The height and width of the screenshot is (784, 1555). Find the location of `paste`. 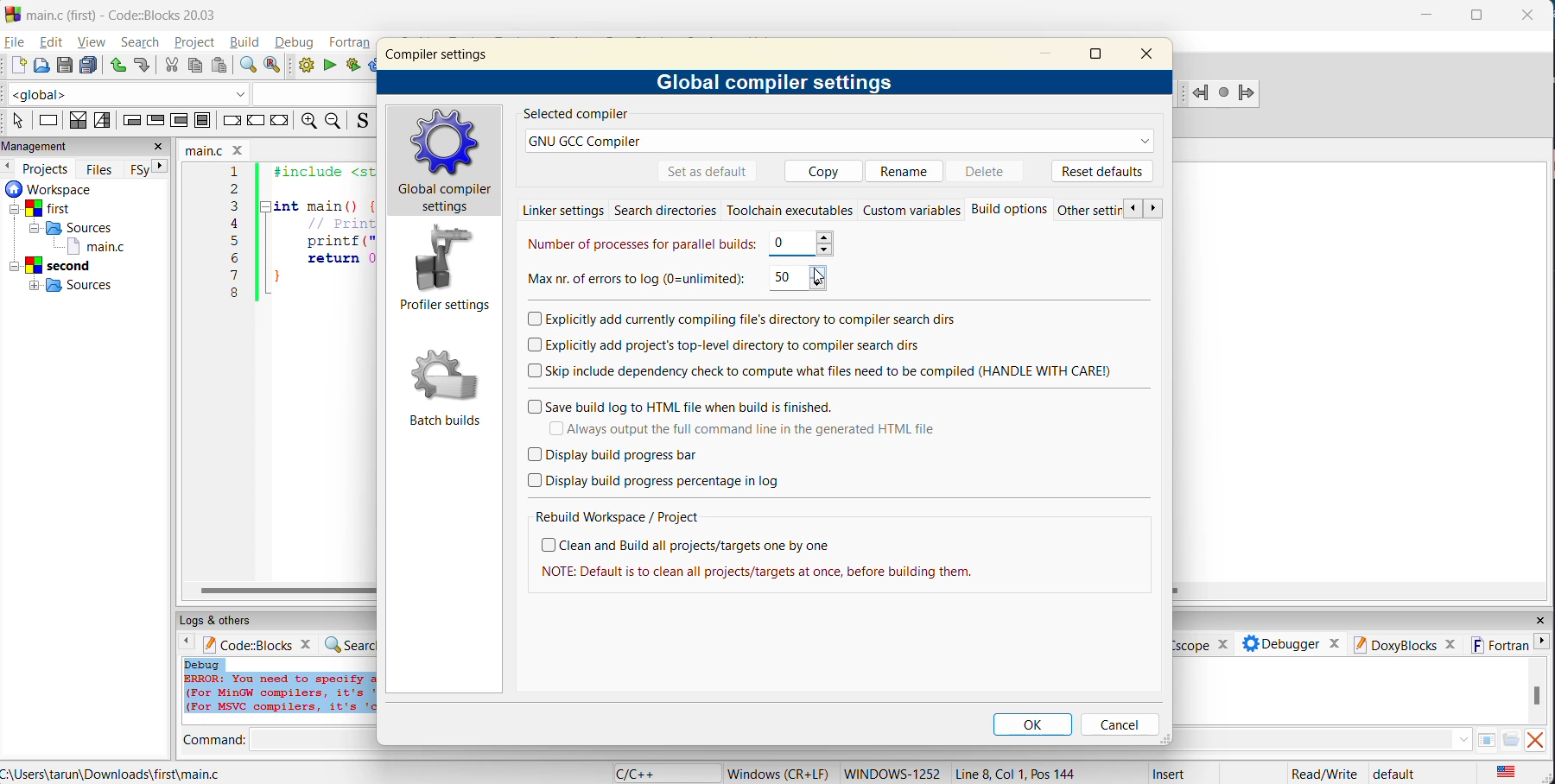

paste is located at coordinates (220, 66).